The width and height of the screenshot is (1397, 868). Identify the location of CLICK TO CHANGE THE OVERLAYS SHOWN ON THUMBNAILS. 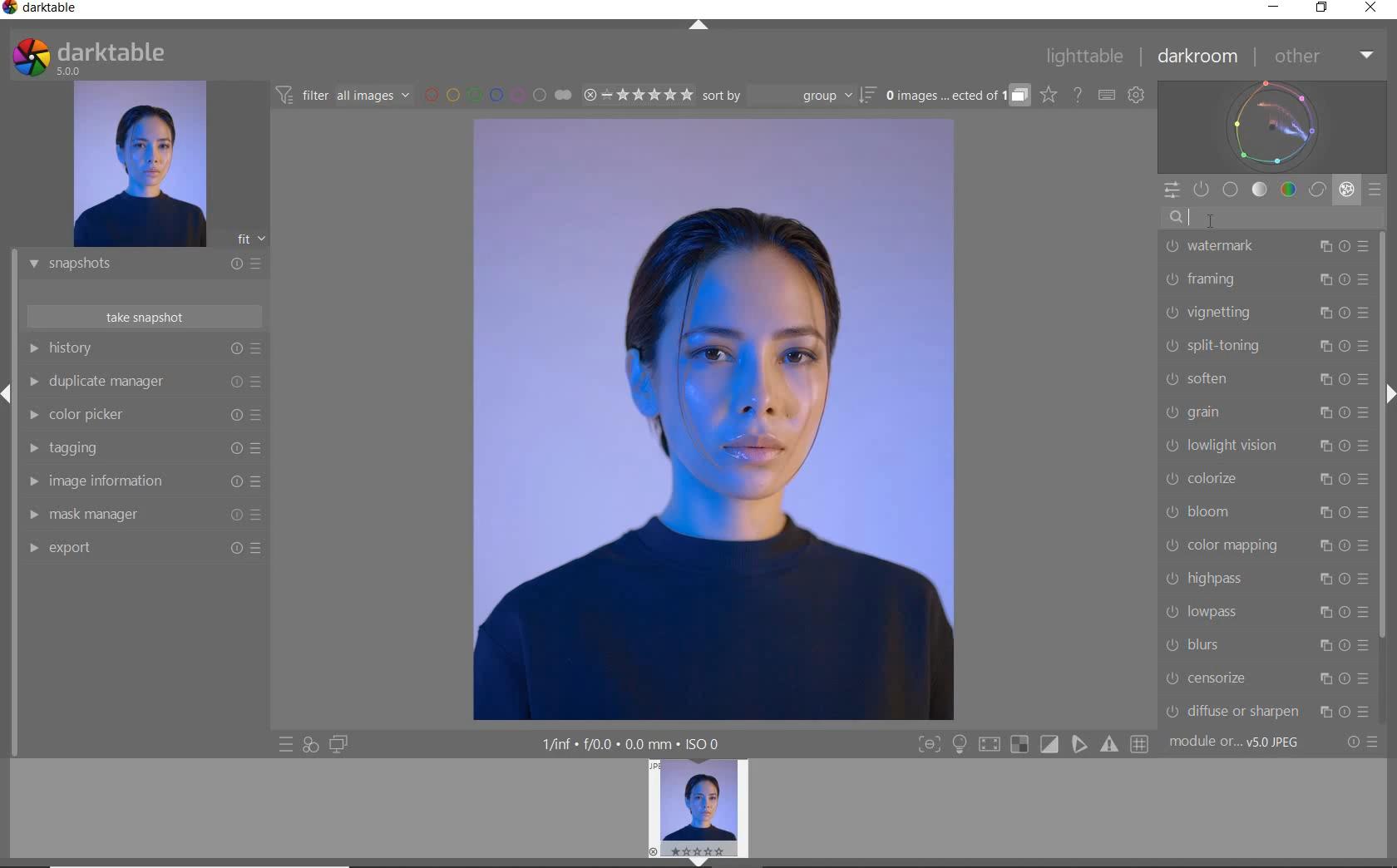
(1049, 95).